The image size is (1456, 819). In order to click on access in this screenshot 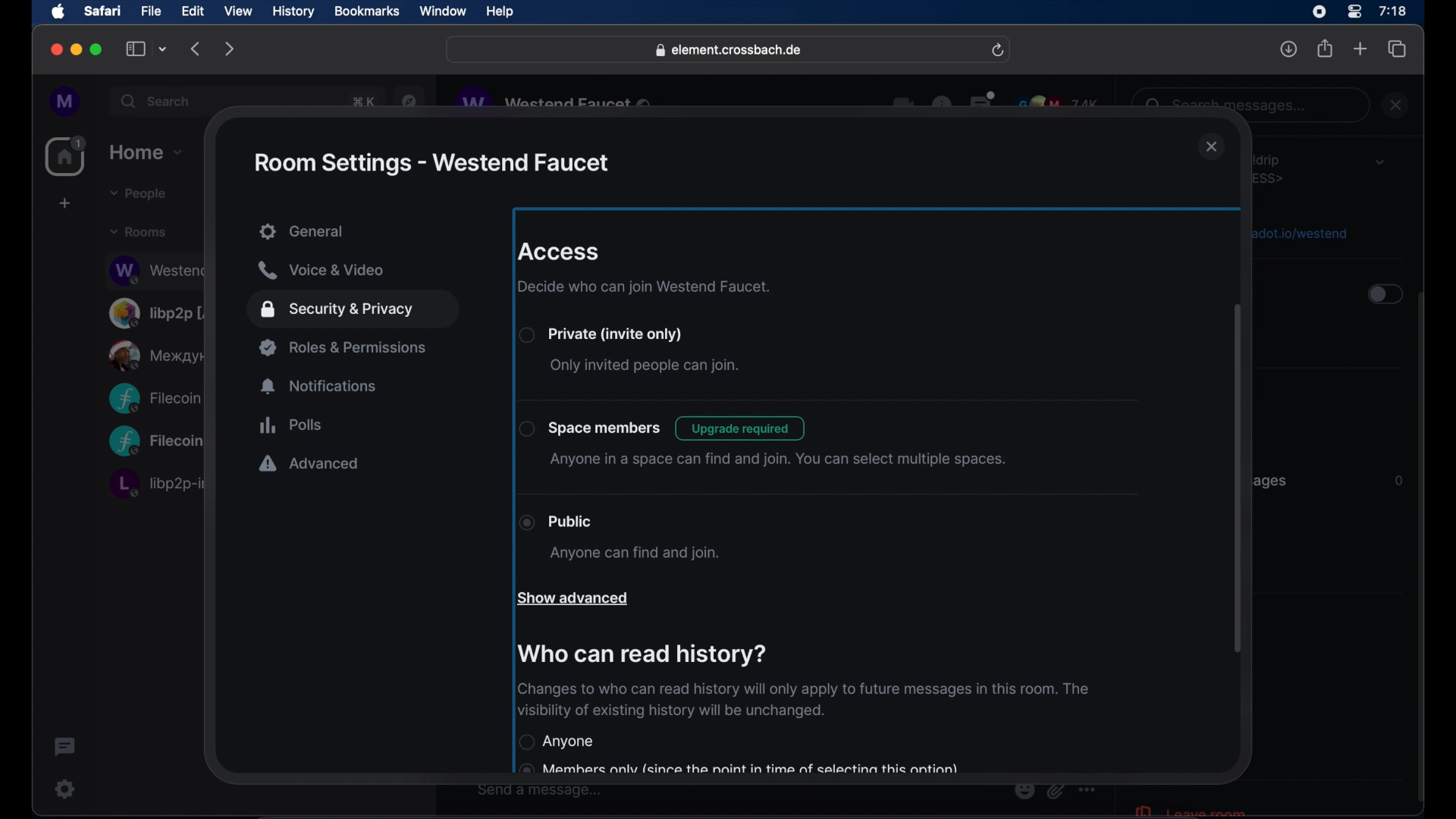, I will do `click(560, 251)`.